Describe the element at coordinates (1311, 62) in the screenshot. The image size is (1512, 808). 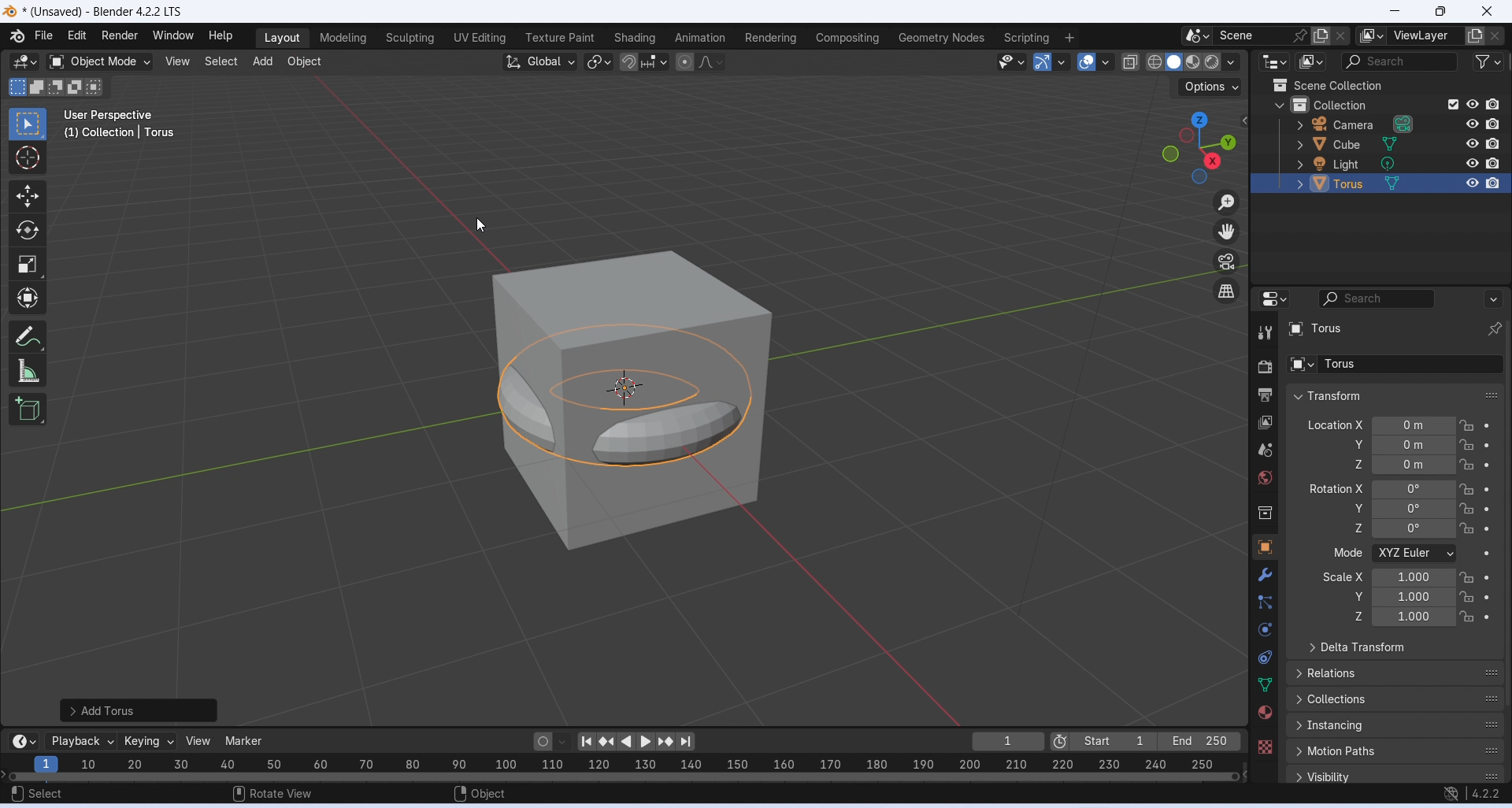
I see `Display mode` at that location.